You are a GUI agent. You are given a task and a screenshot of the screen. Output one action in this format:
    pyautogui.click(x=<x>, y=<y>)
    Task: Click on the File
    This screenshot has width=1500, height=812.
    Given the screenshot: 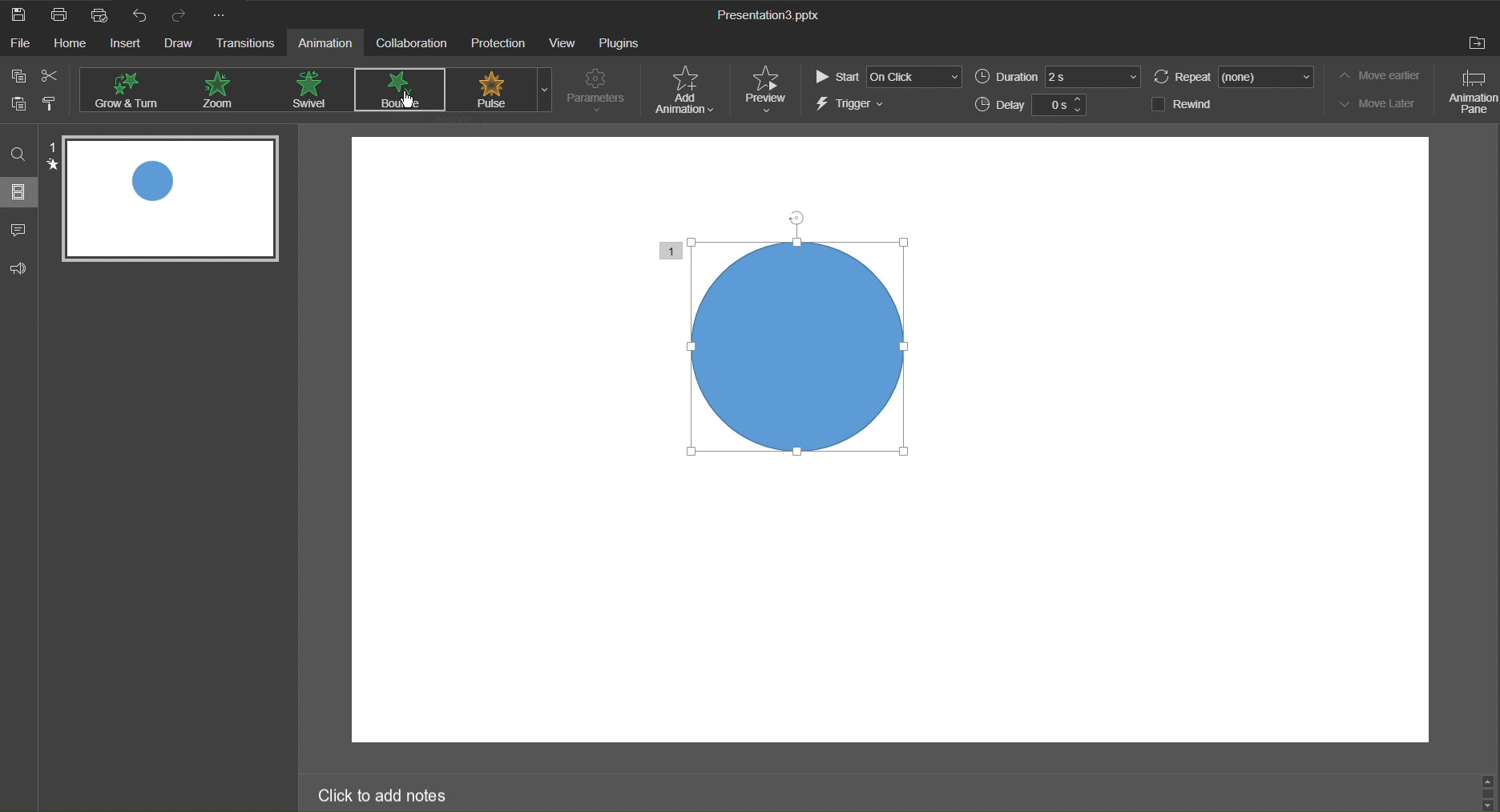 What is the action you would take?
    pyautogui.click(x=22, y=45)
    